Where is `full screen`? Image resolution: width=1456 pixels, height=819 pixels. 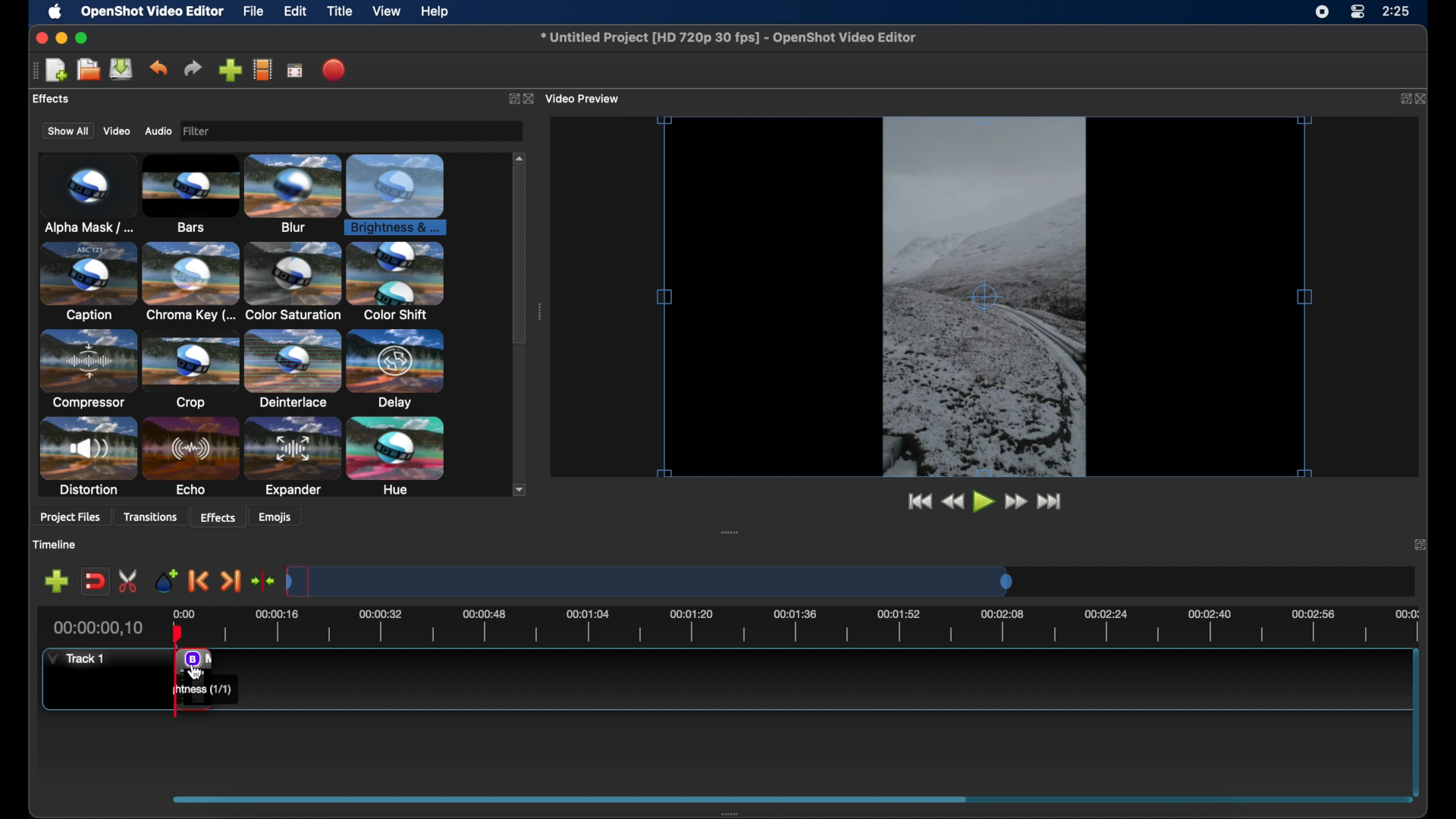
full screen is located at coordinates (295, 71).